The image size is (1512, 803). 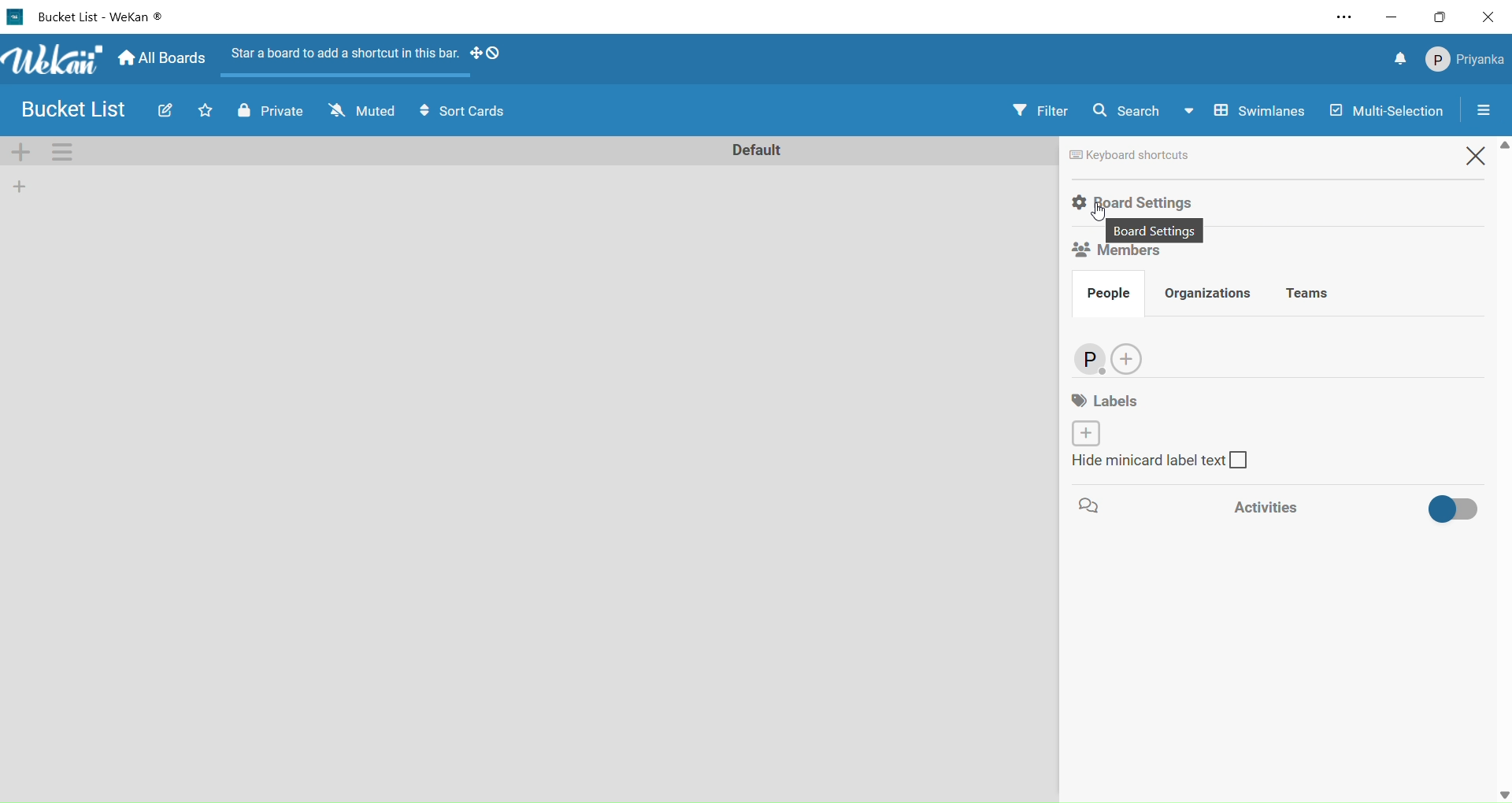 What do you see at coordinates (62, 153) in the screenshot?
I see `swimlane actions` at bounding box center [62, 153].